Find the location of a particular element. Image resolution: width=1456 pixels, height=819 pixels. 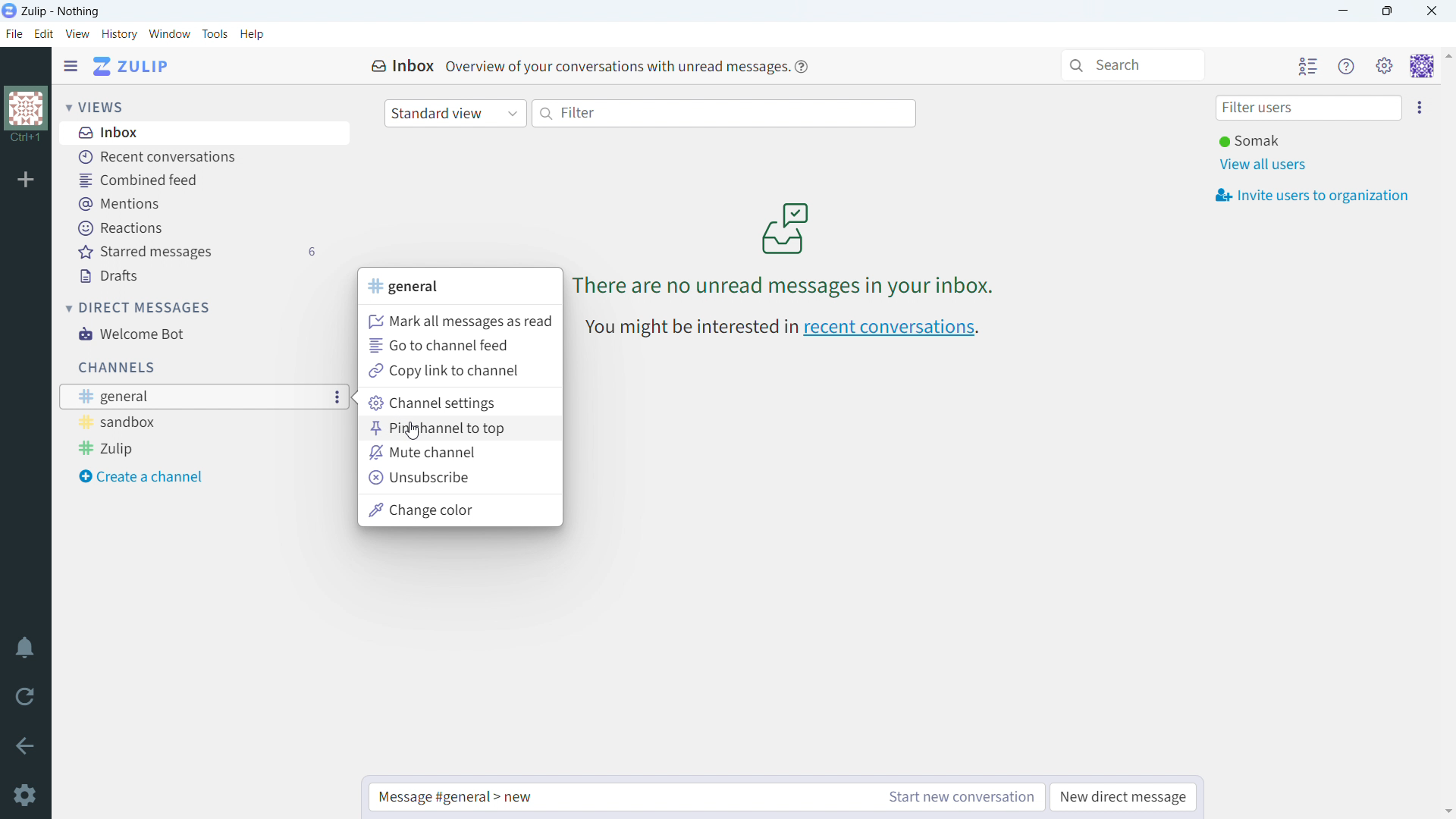

mute channel is located at coordinates (459, 453).